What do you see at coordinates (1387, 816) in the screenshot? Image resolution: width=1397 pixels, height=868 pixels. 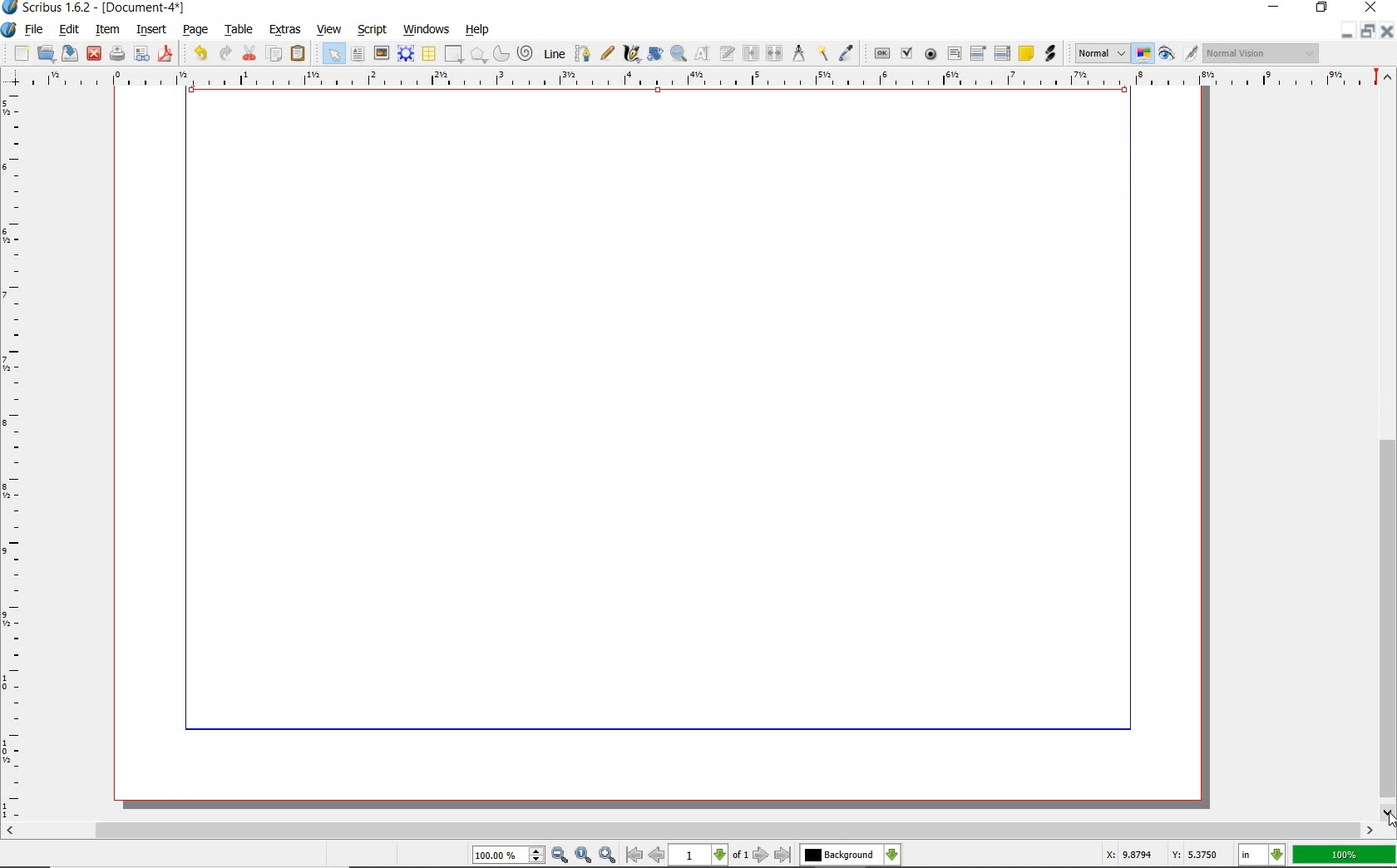 I see `cursor` at bounding box center [1387, 816].